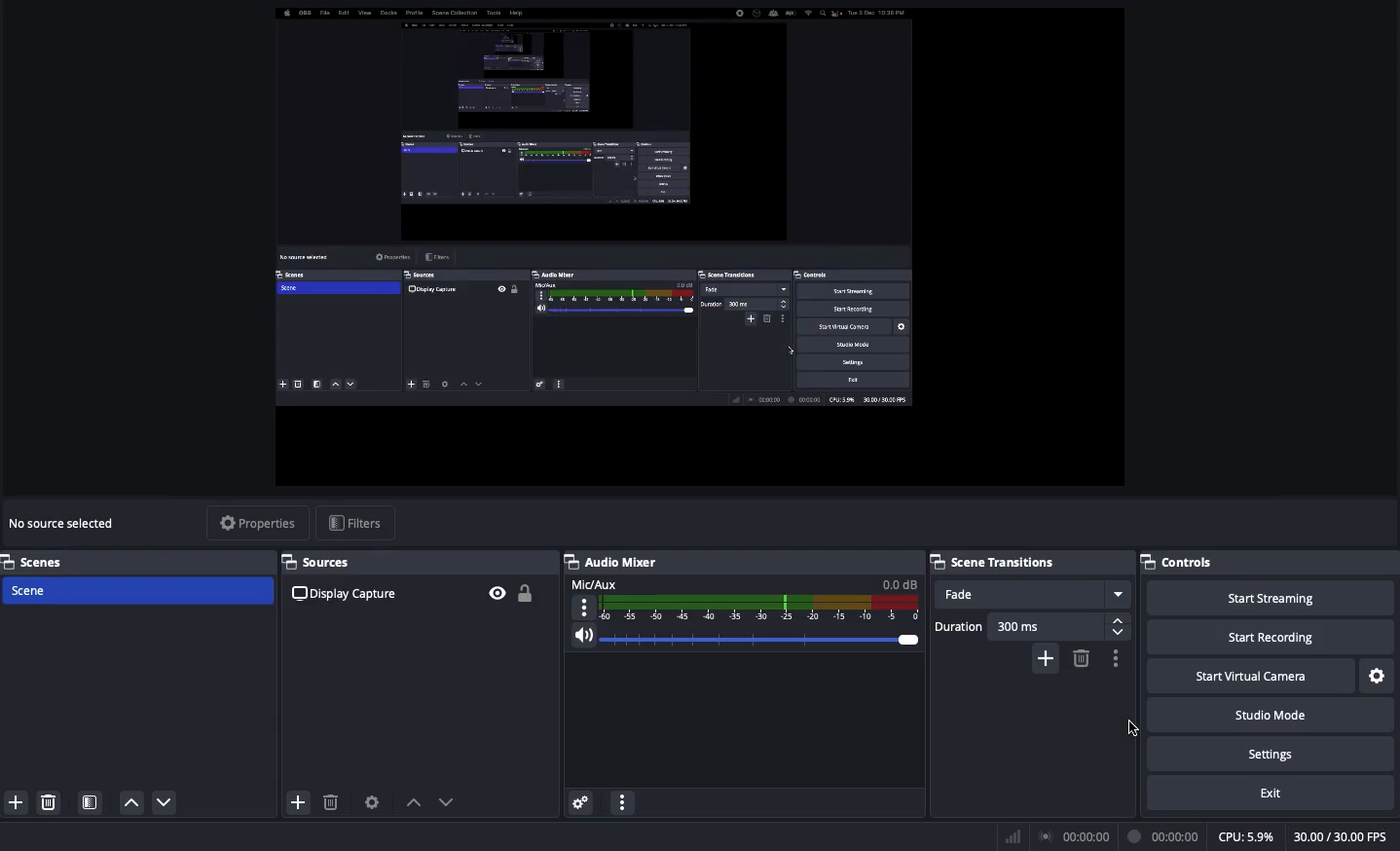  What do you see at coordinates (370, 802) in the screenshot?
I see `Source preferences` at bounding box center [370, 802].